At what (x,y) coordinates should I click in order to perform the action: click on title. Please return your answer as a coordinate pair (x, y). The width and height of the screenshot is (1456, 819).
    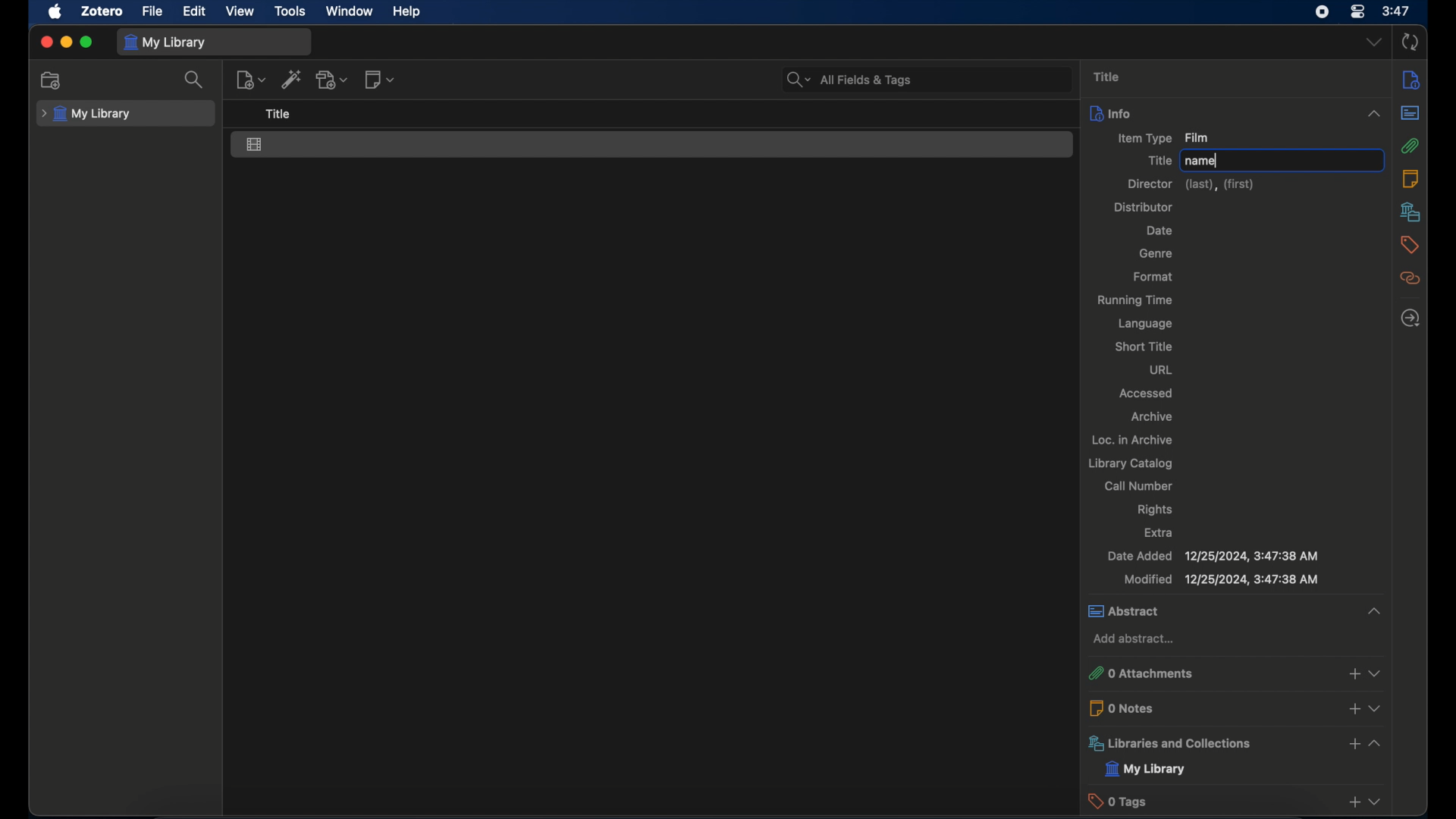
    Looking at the image, I should click on (1159, 161).